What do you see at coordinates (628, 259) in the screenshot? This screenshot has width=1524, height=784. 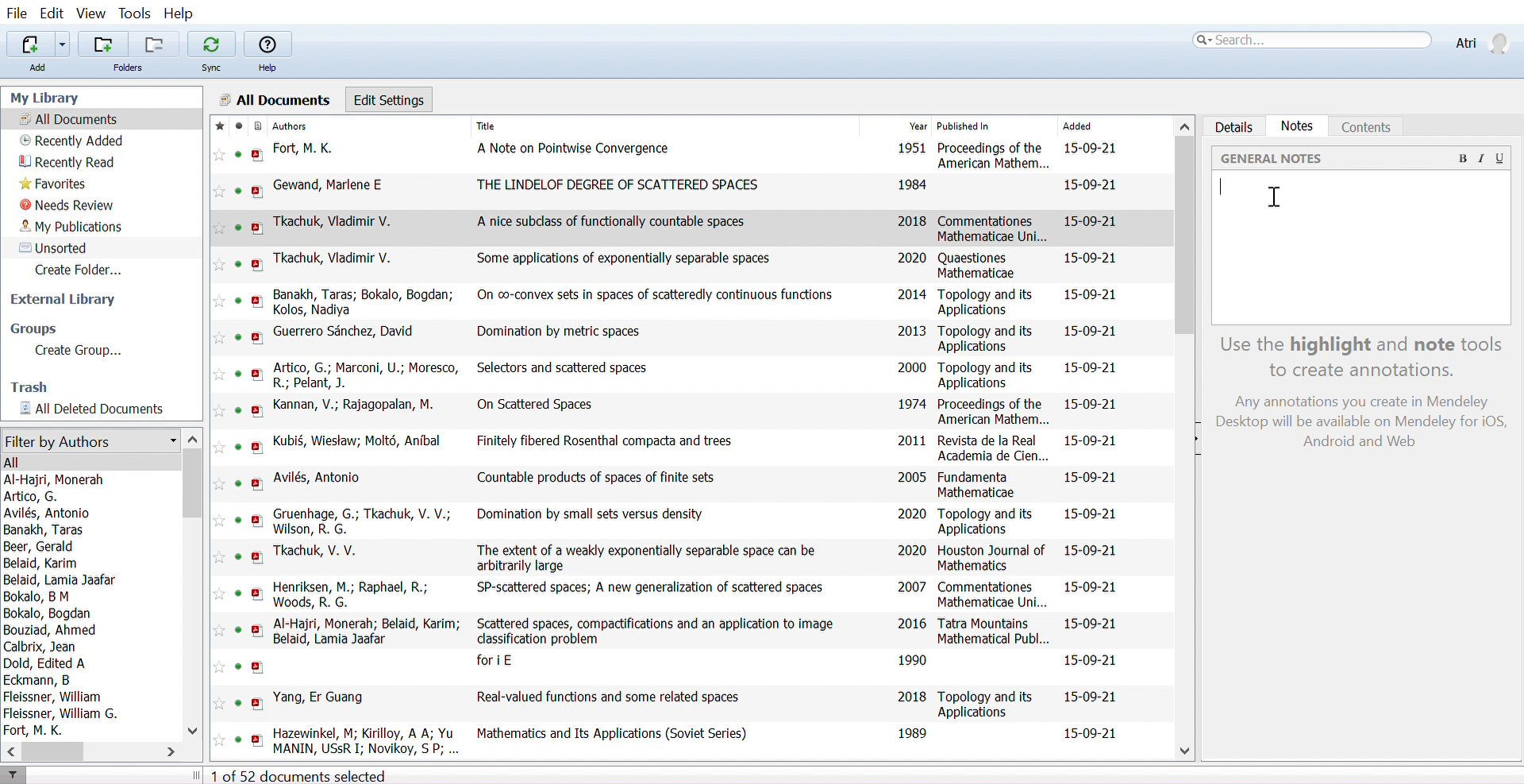 I see `Some applications of exponentially separable spaces` at bounding box center [628, 259].